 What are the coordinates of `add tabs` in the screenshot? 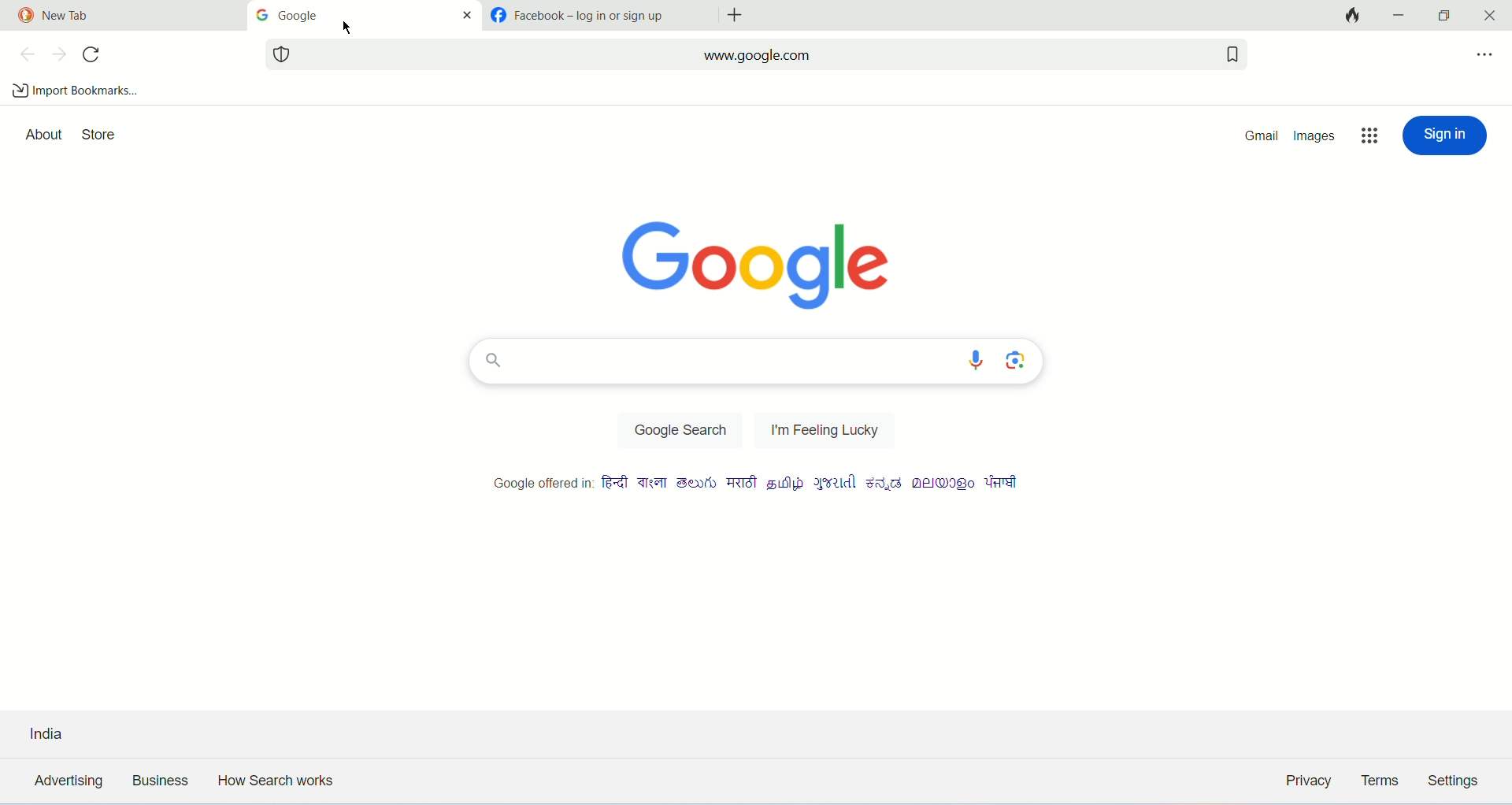 It's located at (734, 16).